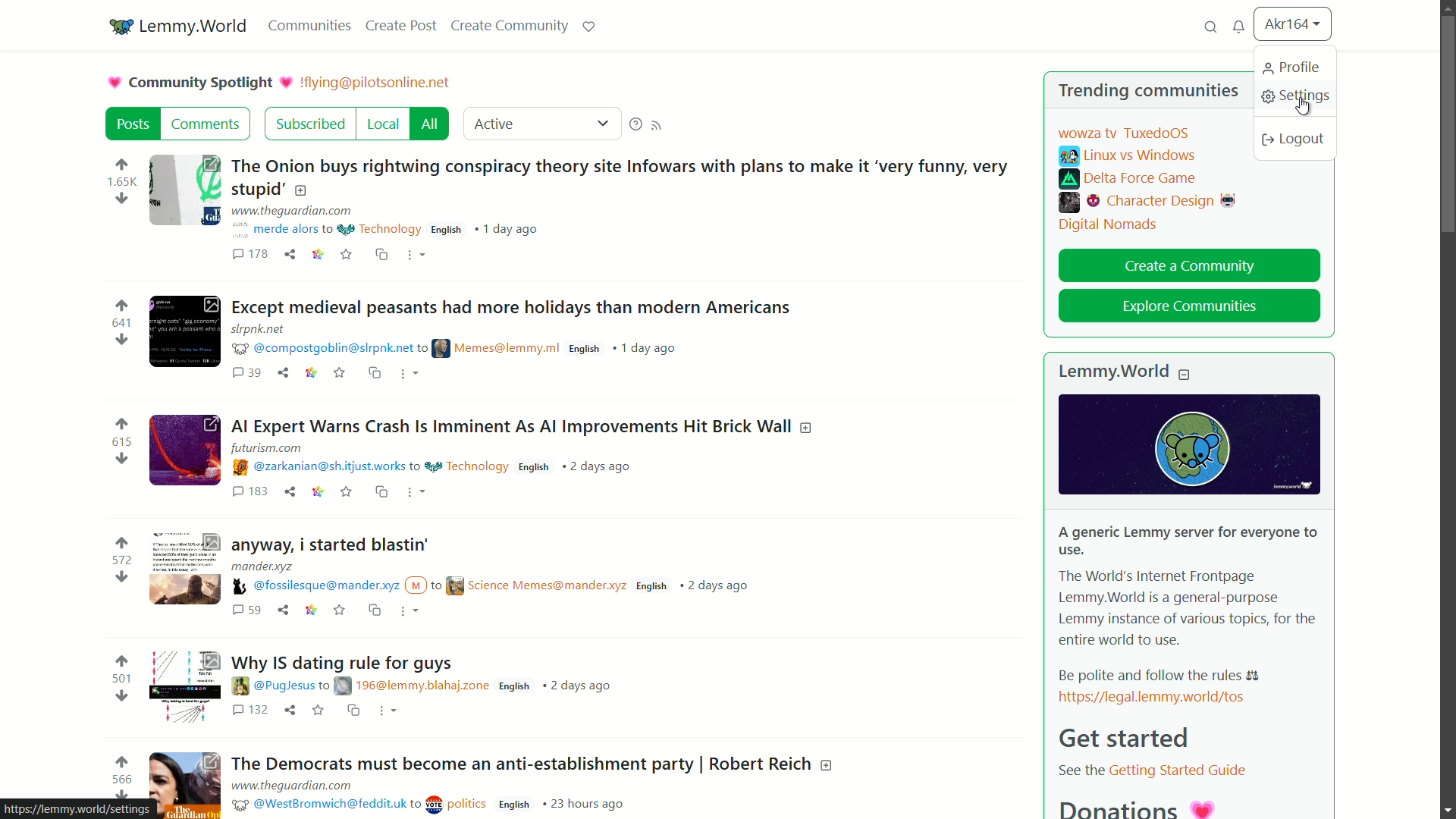  I want to click on cs, so click(375, 370).